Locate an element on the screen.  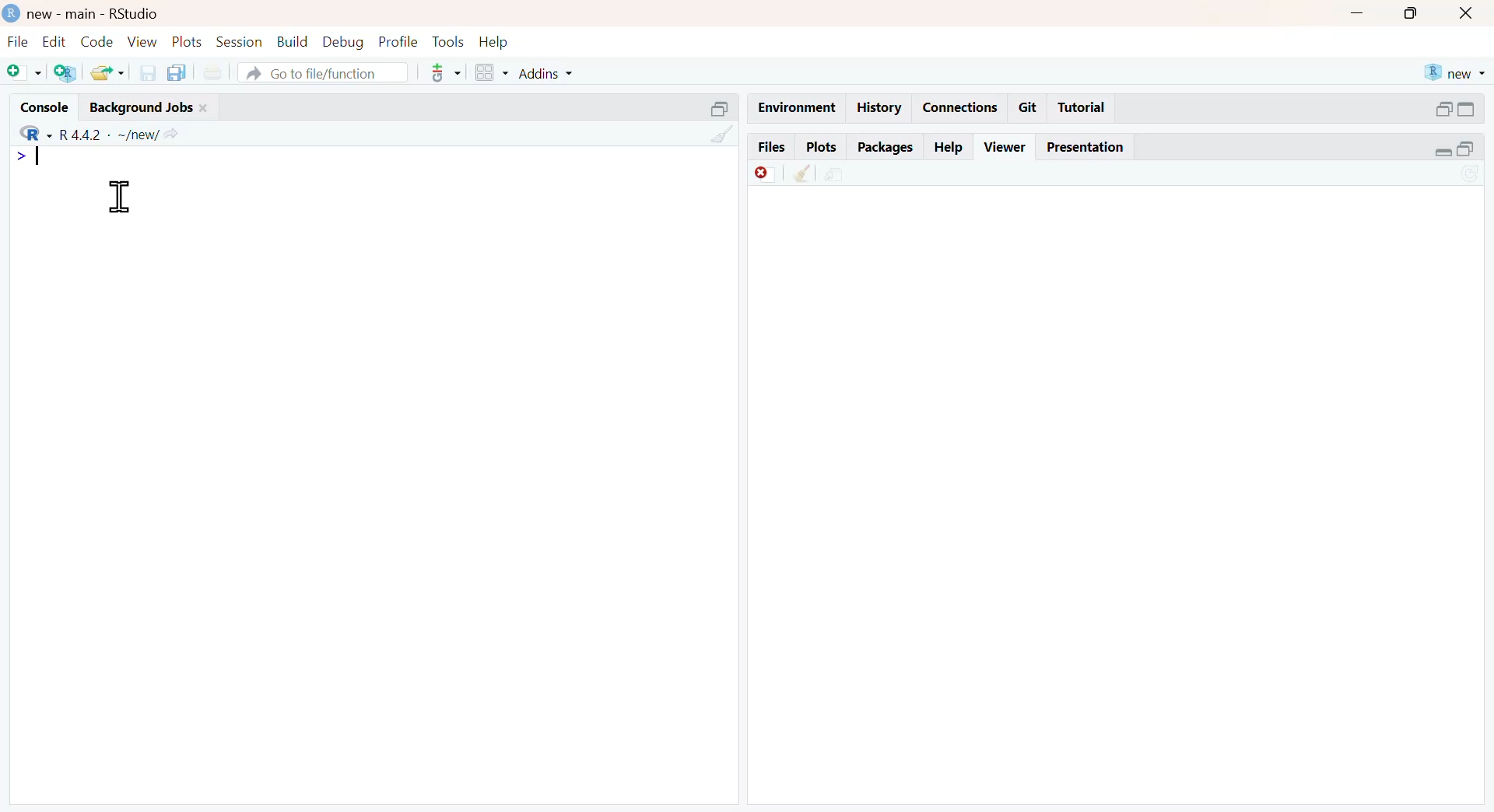
tutorial is located at coordinates (1082, 108).